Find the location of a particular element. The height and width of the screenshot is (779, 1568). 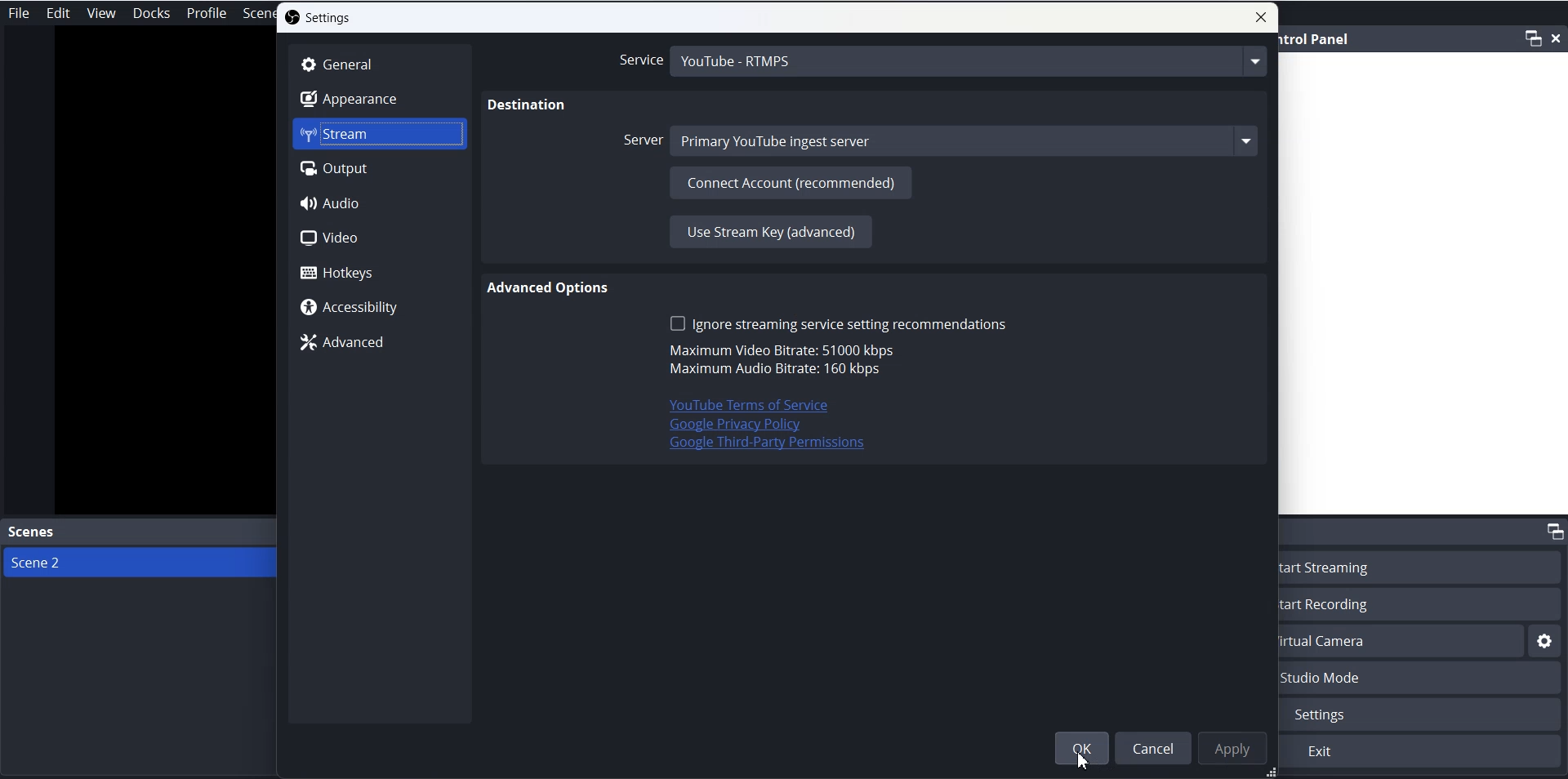

Video is located at coordinates (378, 238).